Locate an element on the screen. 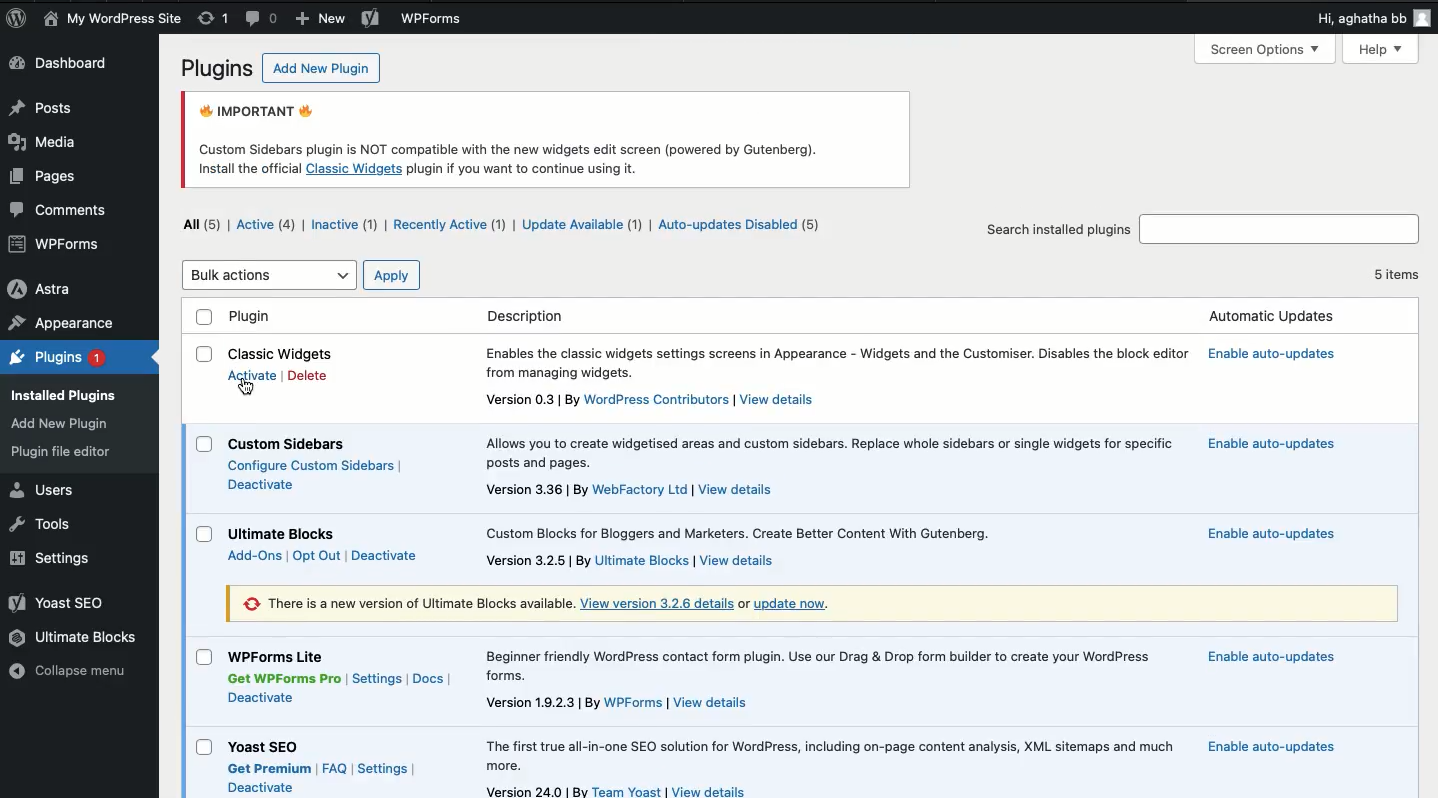 The height and width of the screenshot is (798, 1438). Recently active is located at coordinates (448, 226).